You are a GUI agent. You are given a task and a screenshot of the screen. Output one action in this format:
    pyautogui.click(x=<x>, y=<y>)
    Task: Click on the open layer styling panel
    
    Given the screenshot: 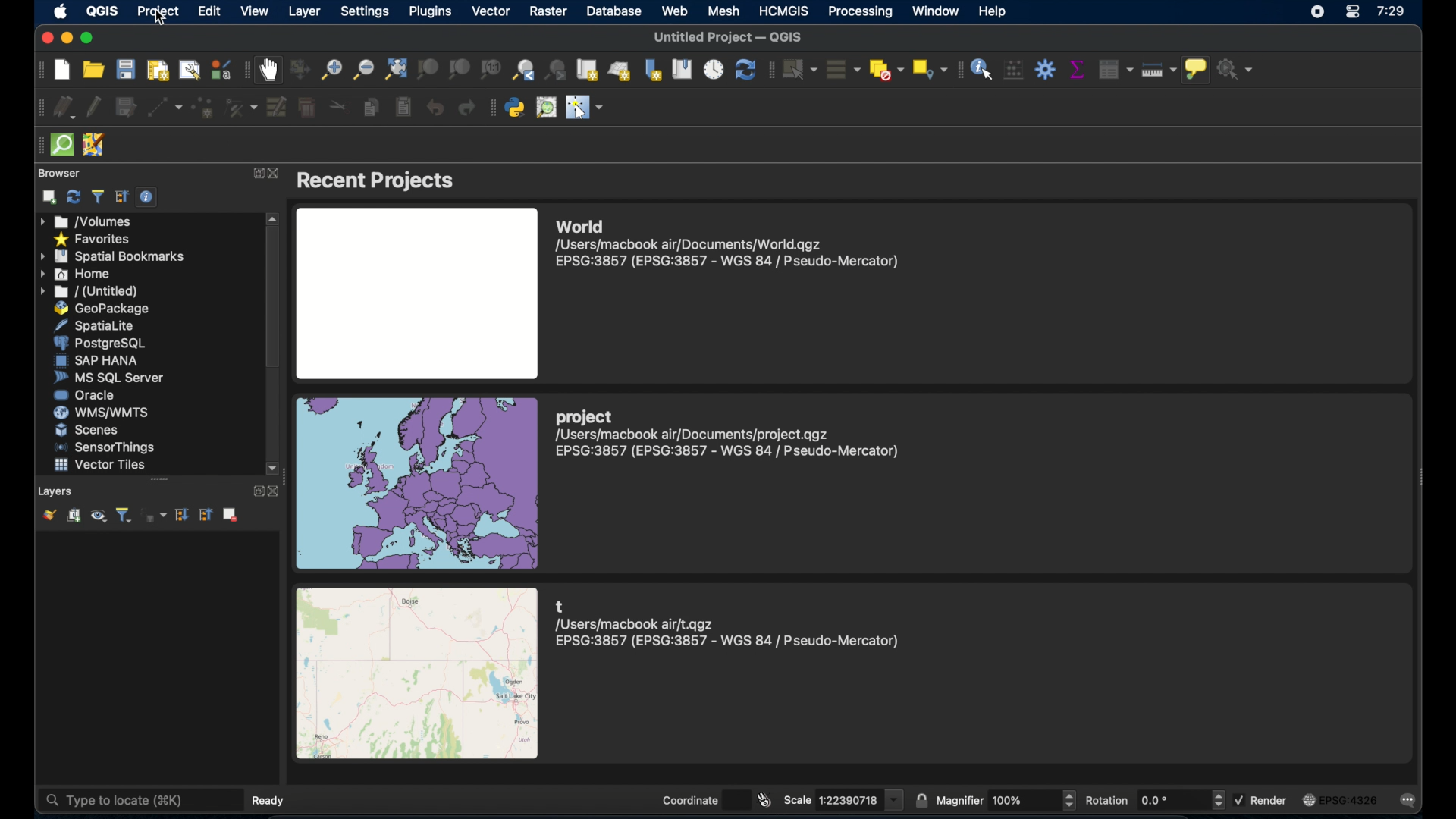 What is the action you would take?
    pyautogui.click(x=49, y=516)
    